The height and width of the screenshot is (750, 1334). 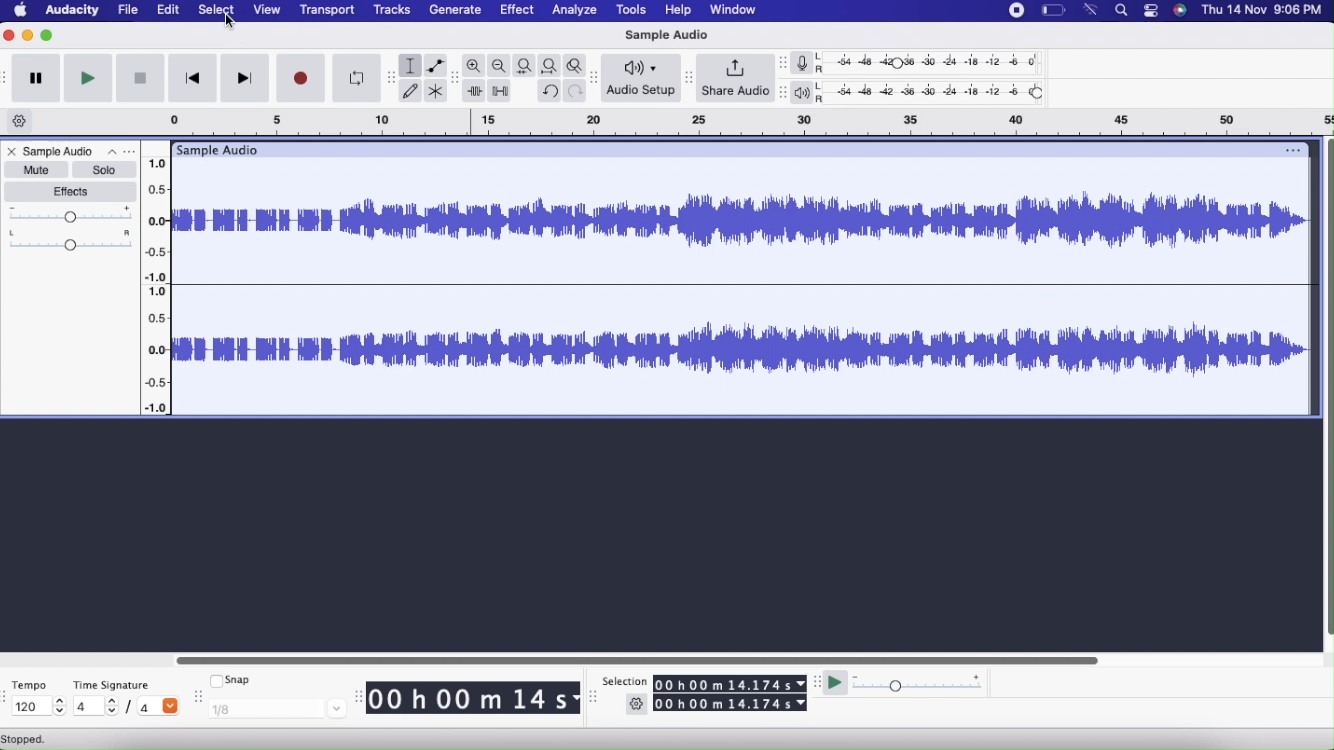 What do you see at coordinates (193, 78) in the screenshot?
I see `Skip to start` at bounding box center [193, 78].